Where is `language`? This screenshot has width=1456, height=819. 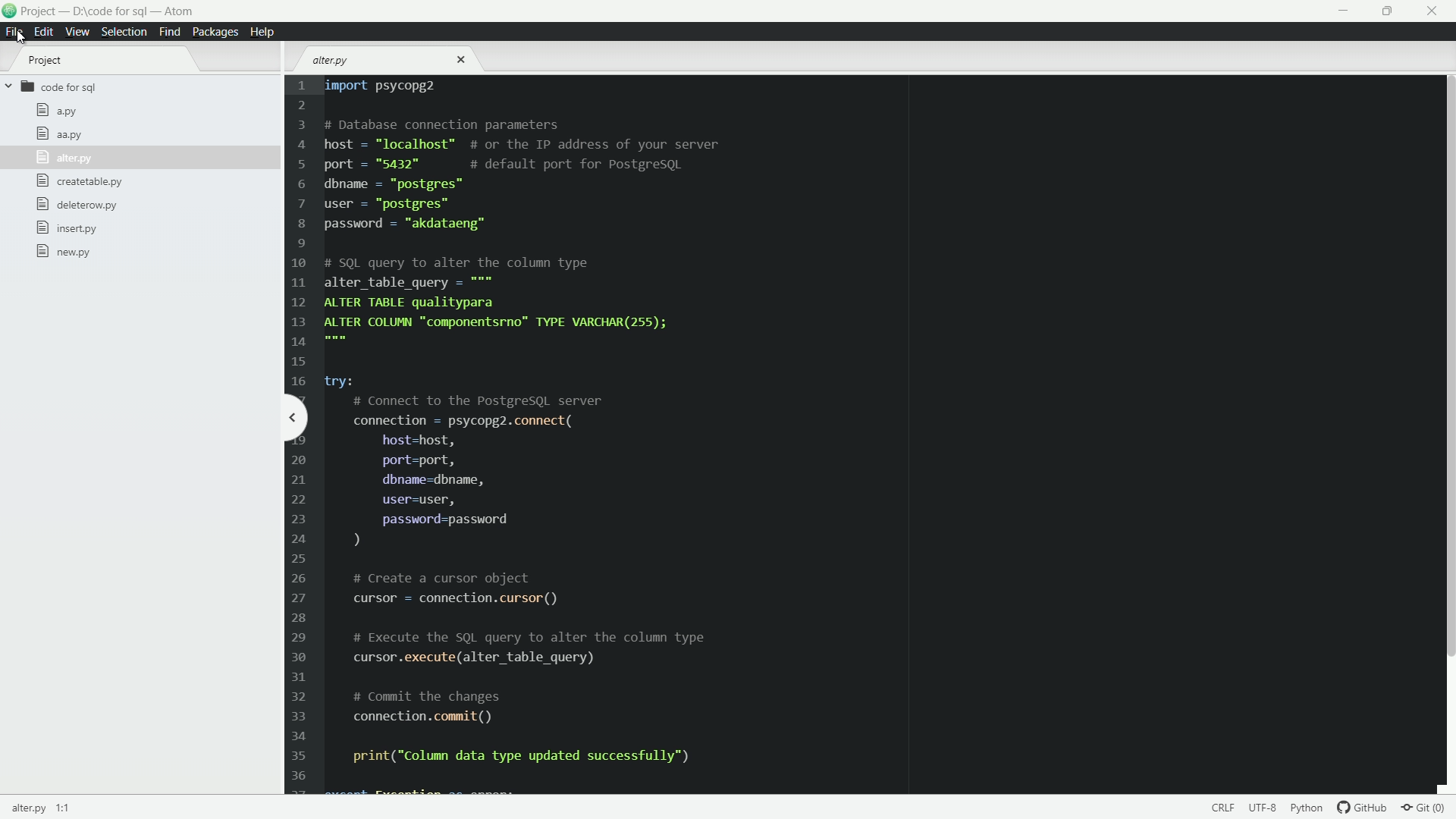
language is located at coordinates (1307, 806).